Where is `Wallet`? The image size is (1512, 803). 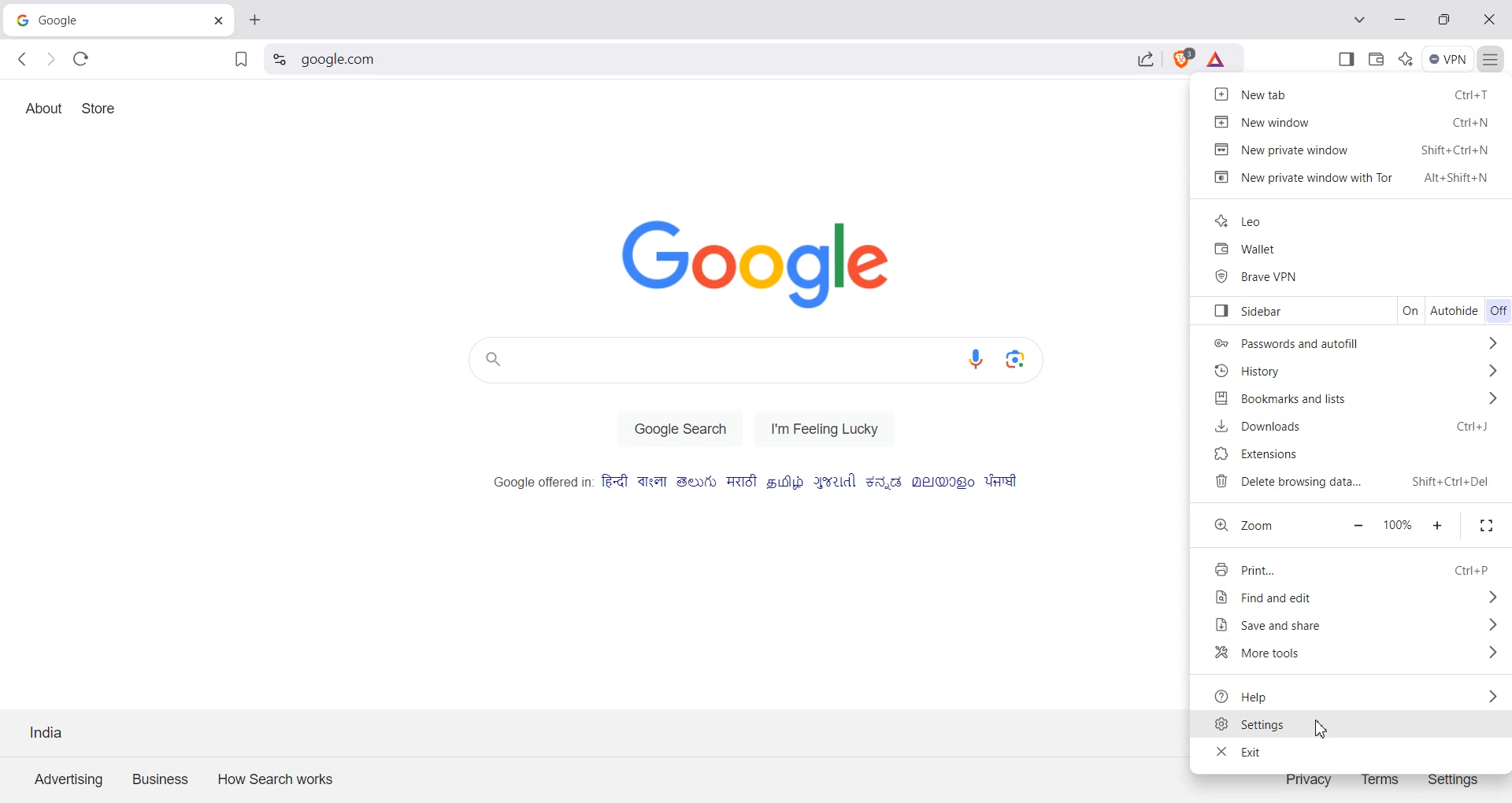
Wallet is located at coordinates (1377, 57).